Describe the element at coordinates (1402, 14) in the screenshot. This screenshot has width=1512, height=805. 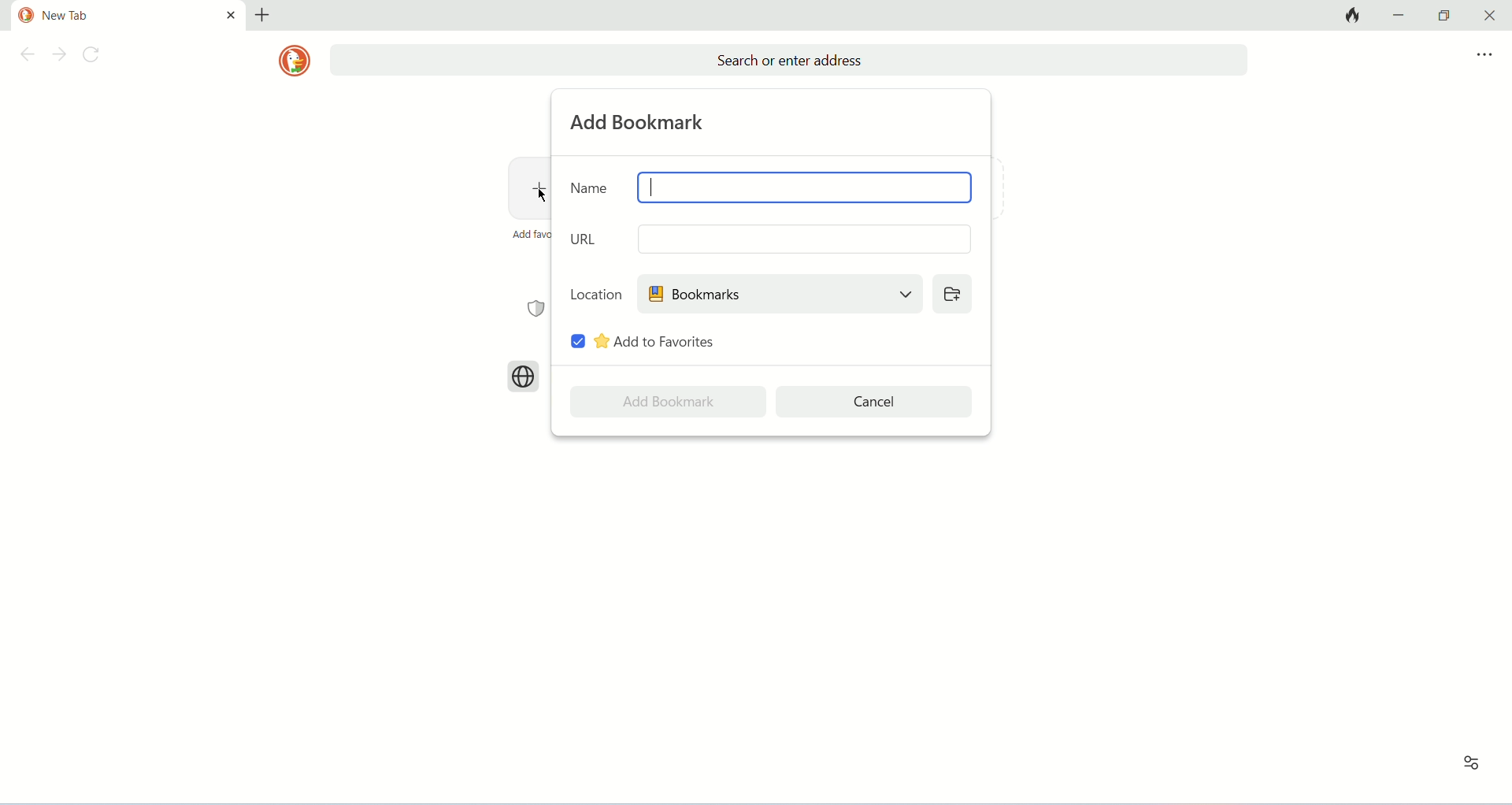
I see `minimize` at that location.